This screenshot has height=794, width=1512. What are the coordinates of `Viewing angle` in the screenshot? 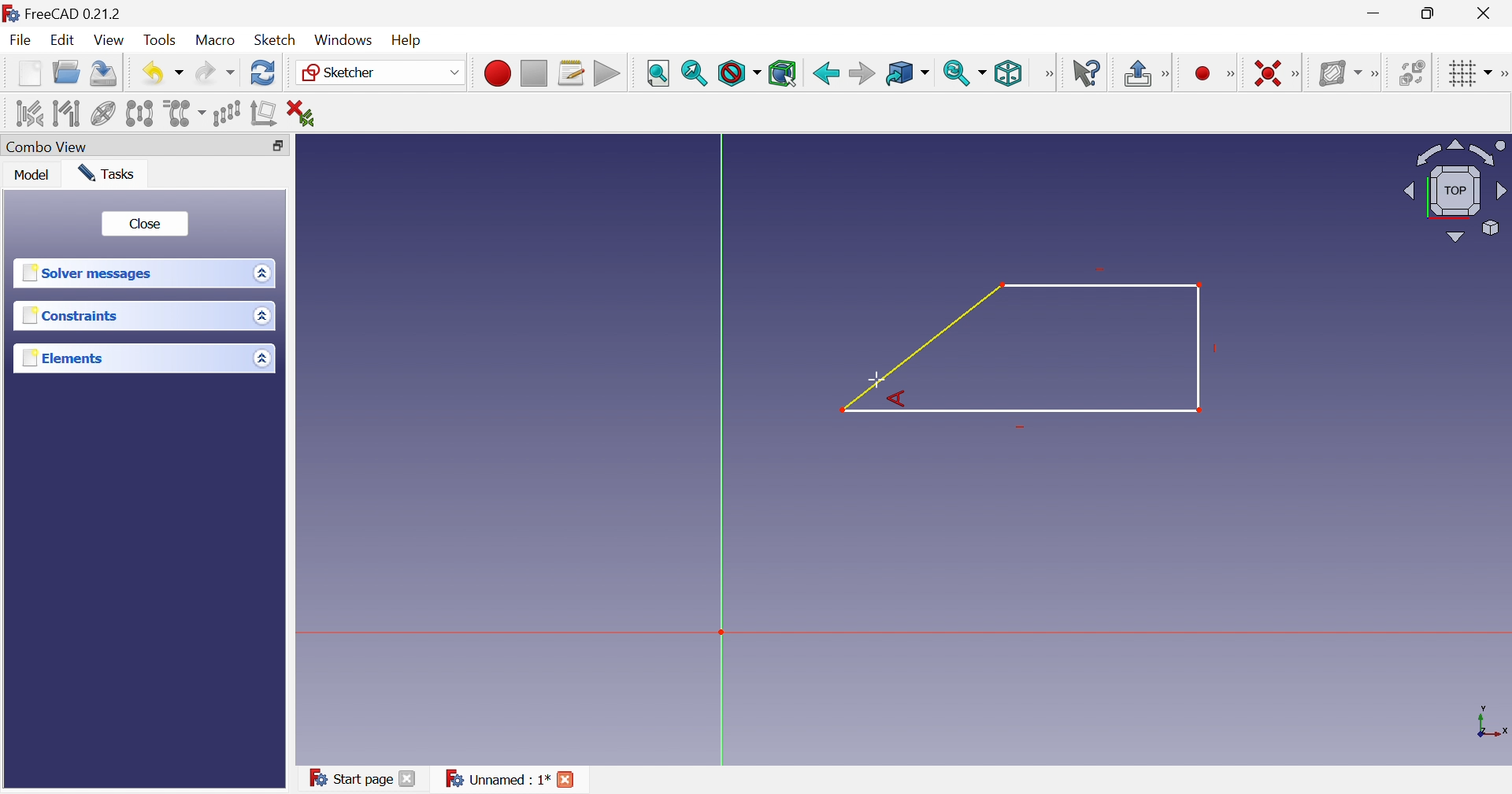 It's located at (1455, 189).